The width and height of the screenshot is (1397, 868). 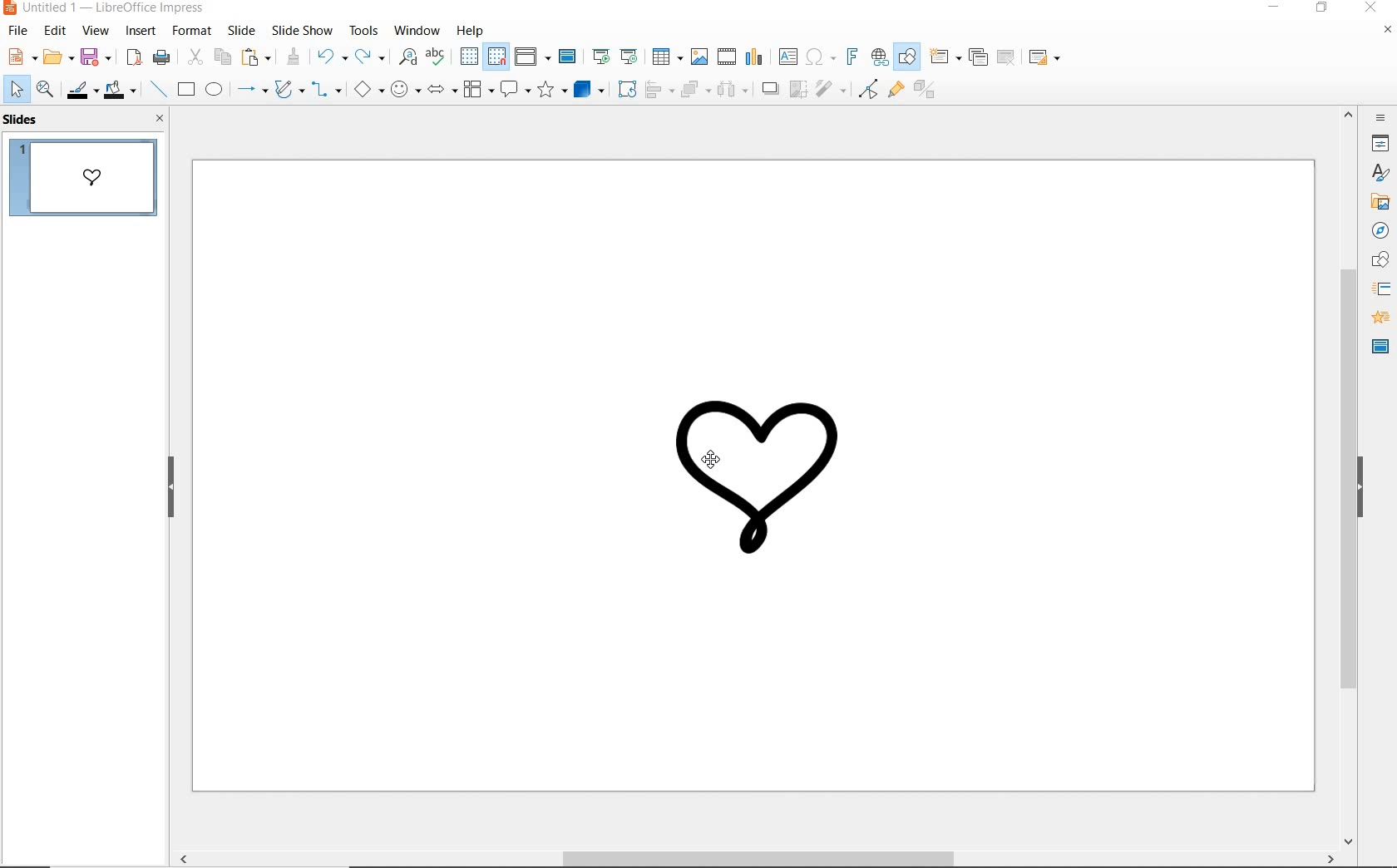 I want to click on CLOSE, so click(x=160, y=118).